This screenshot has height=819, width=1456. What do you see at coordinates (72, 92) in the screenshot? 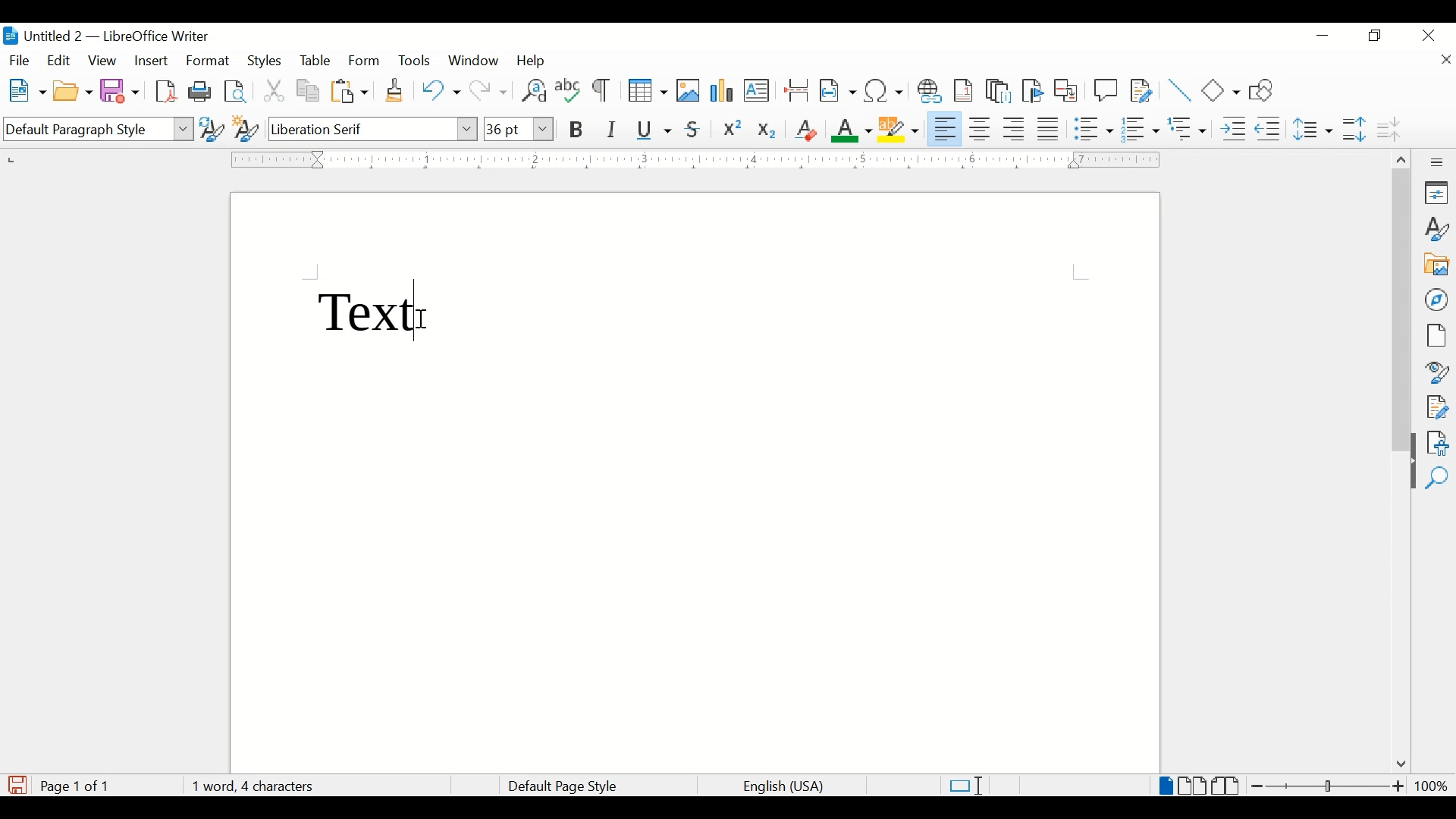
I see `open` at bounding box center [72, 92].